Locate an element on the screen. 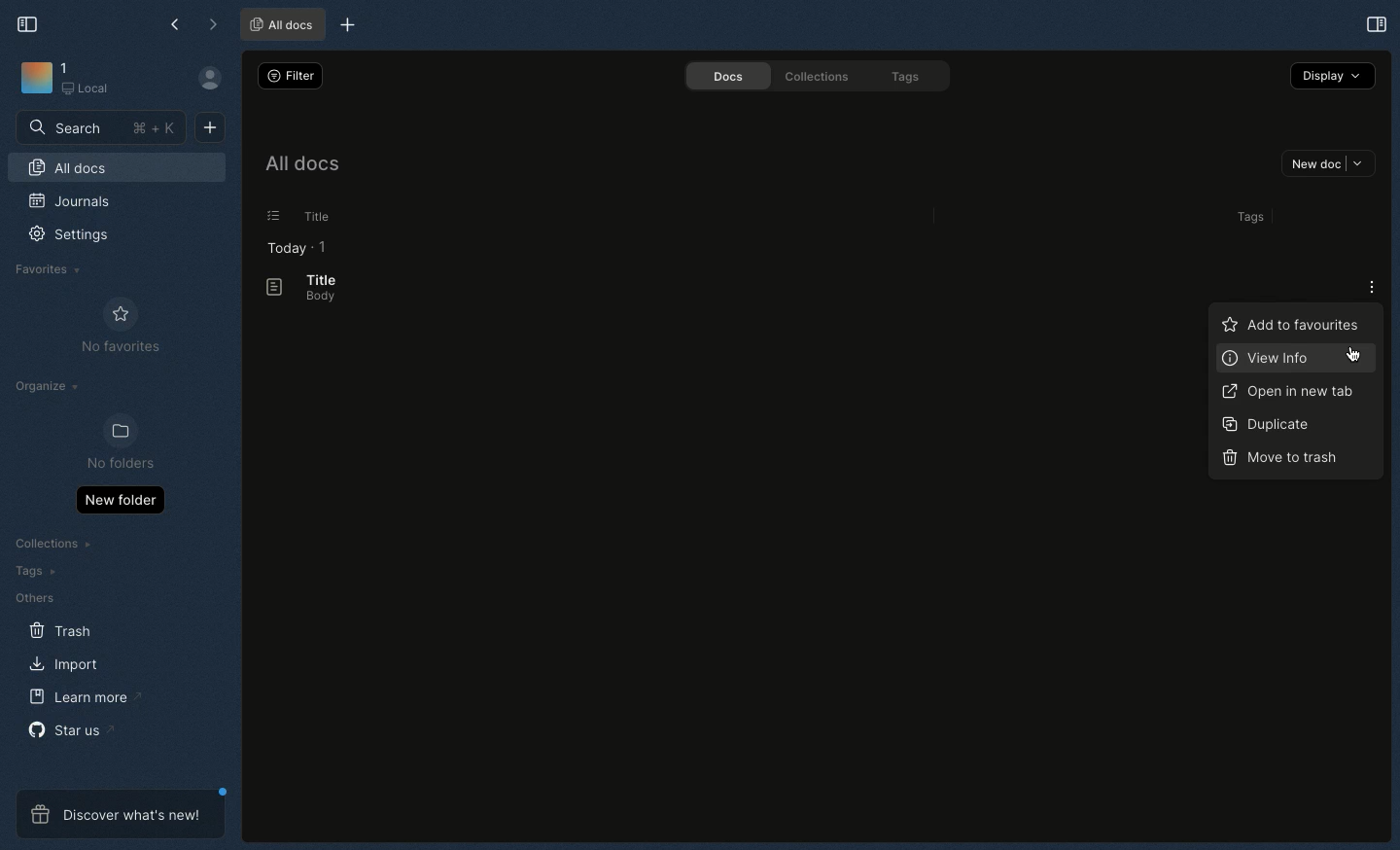 The height and width of the screenshot is (850, 1400). Organize is located at coordinates (50, 389).